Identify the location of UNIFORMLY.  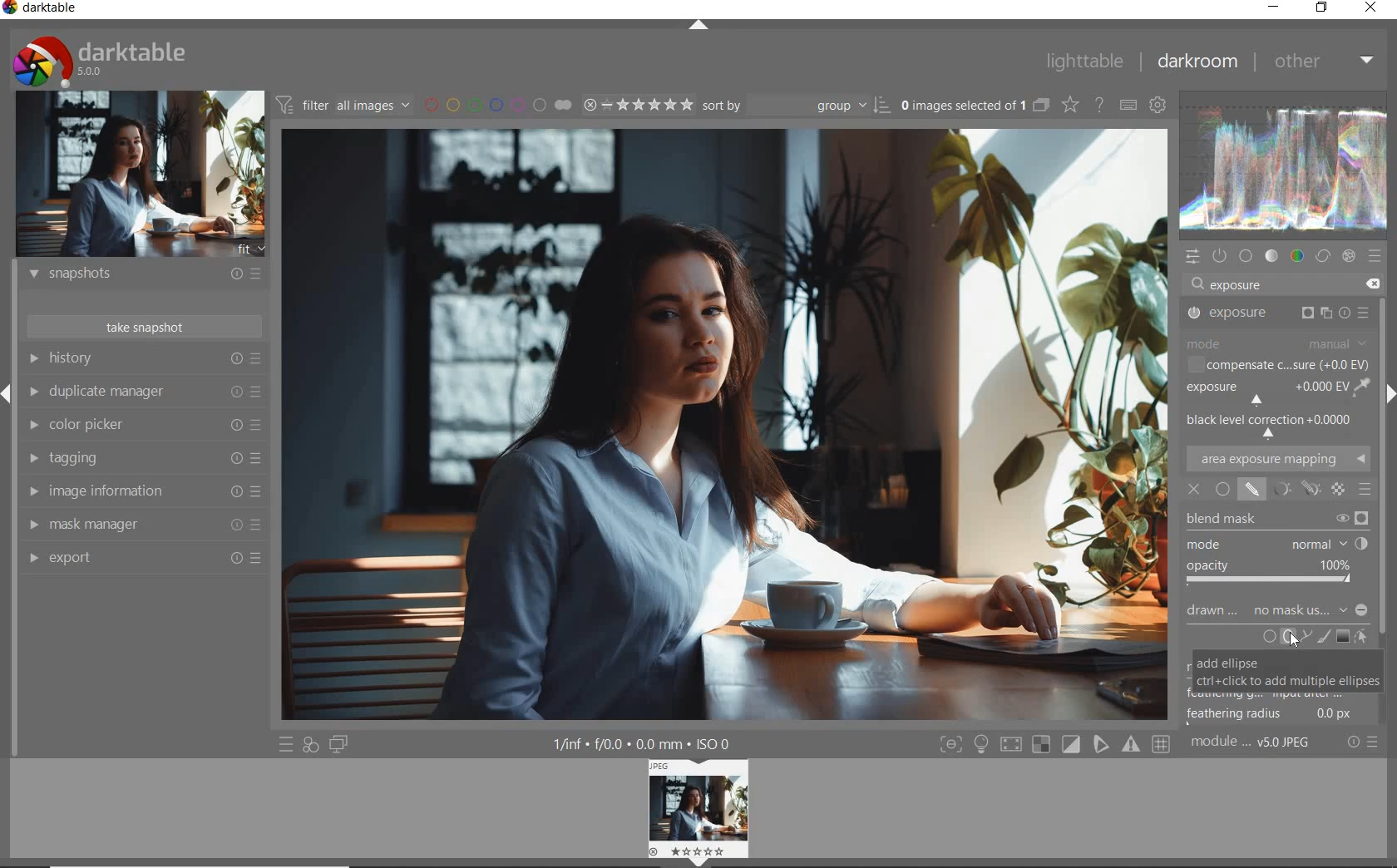
(1223, 489).